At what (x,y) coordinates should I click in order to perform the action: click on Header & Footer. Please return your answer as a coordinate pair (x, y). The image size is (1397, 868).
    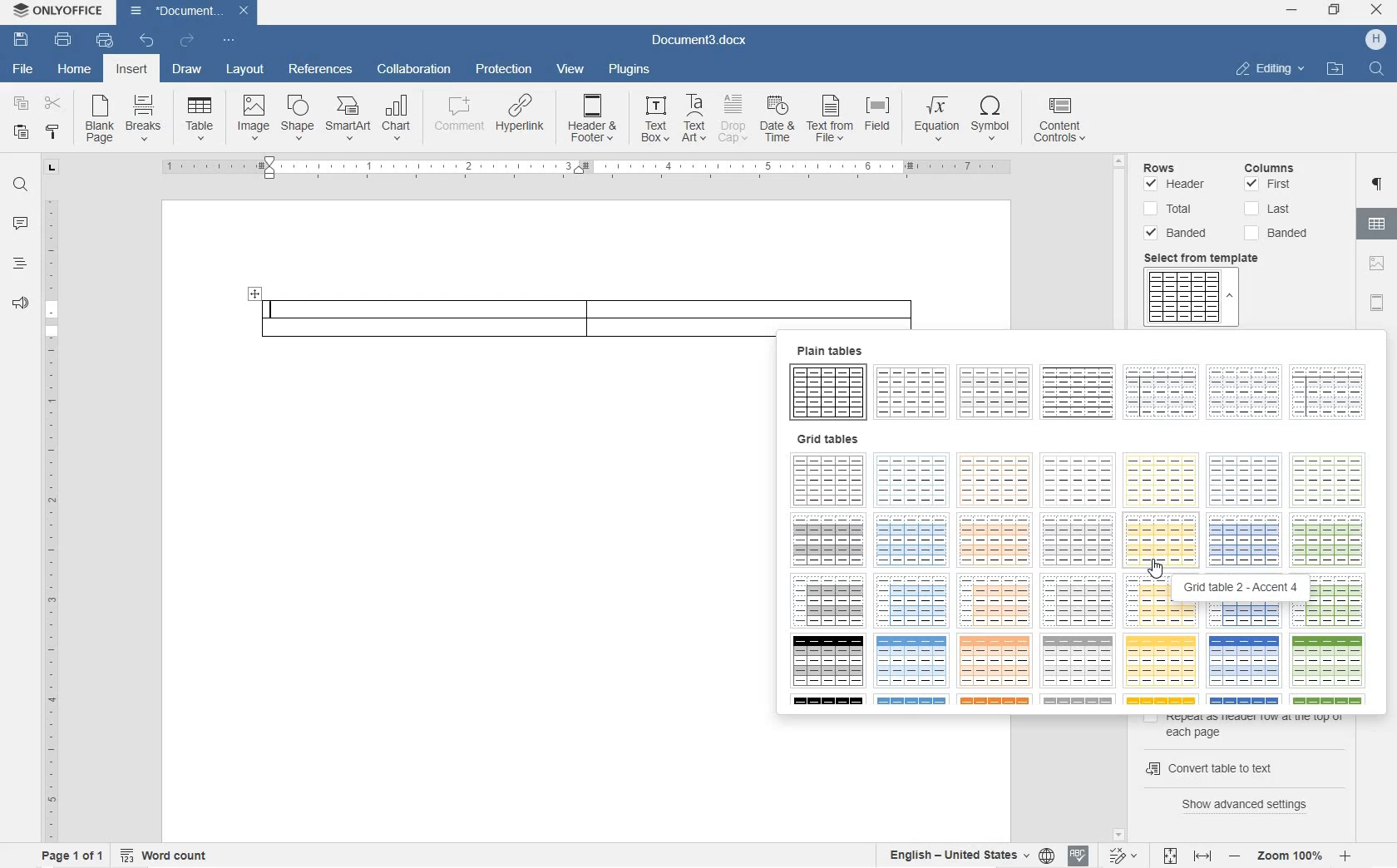
    Looking at the image, I should click on (594, 121).